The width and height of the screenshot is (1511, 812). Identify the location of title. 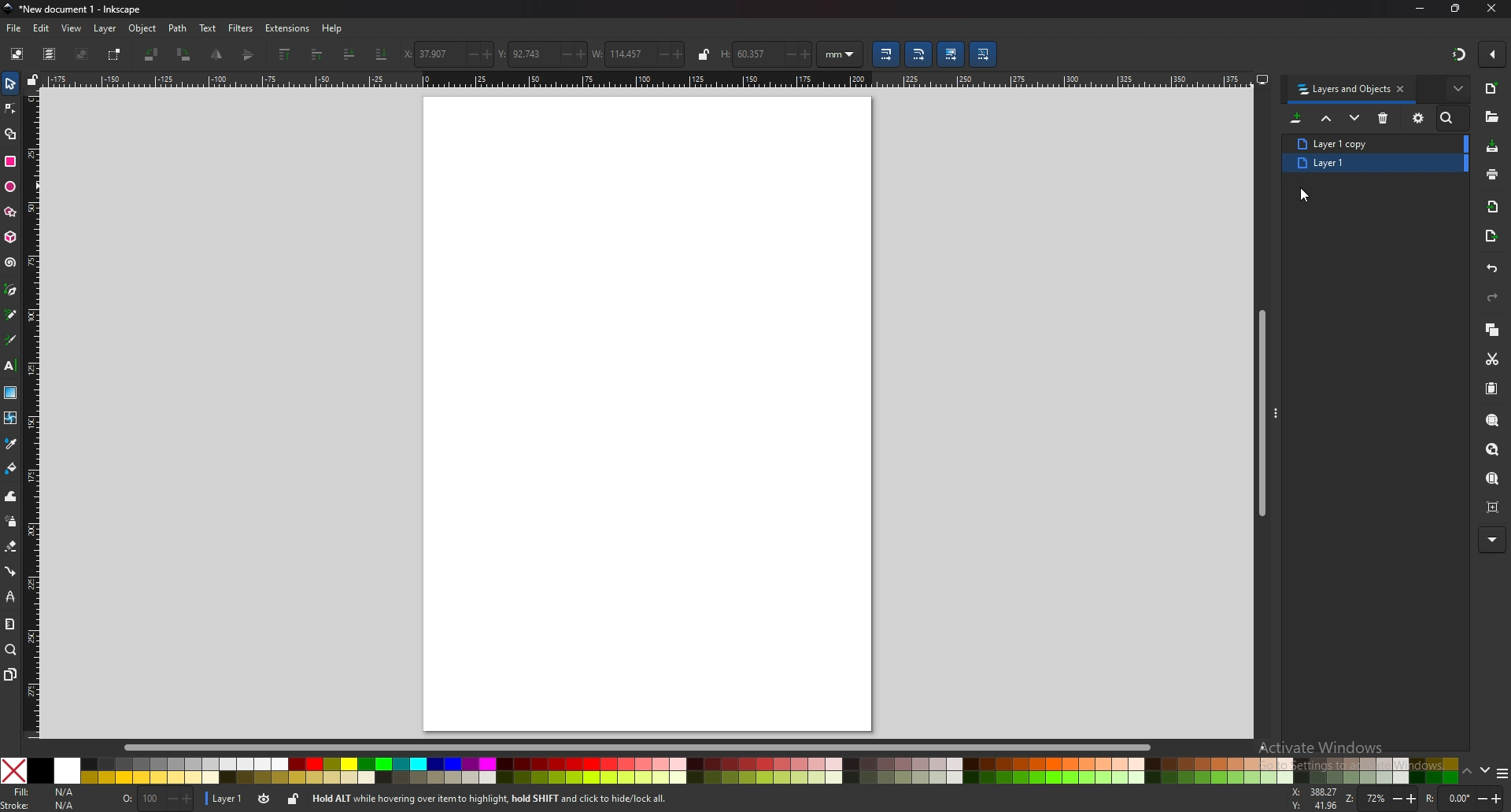
(75, 9).